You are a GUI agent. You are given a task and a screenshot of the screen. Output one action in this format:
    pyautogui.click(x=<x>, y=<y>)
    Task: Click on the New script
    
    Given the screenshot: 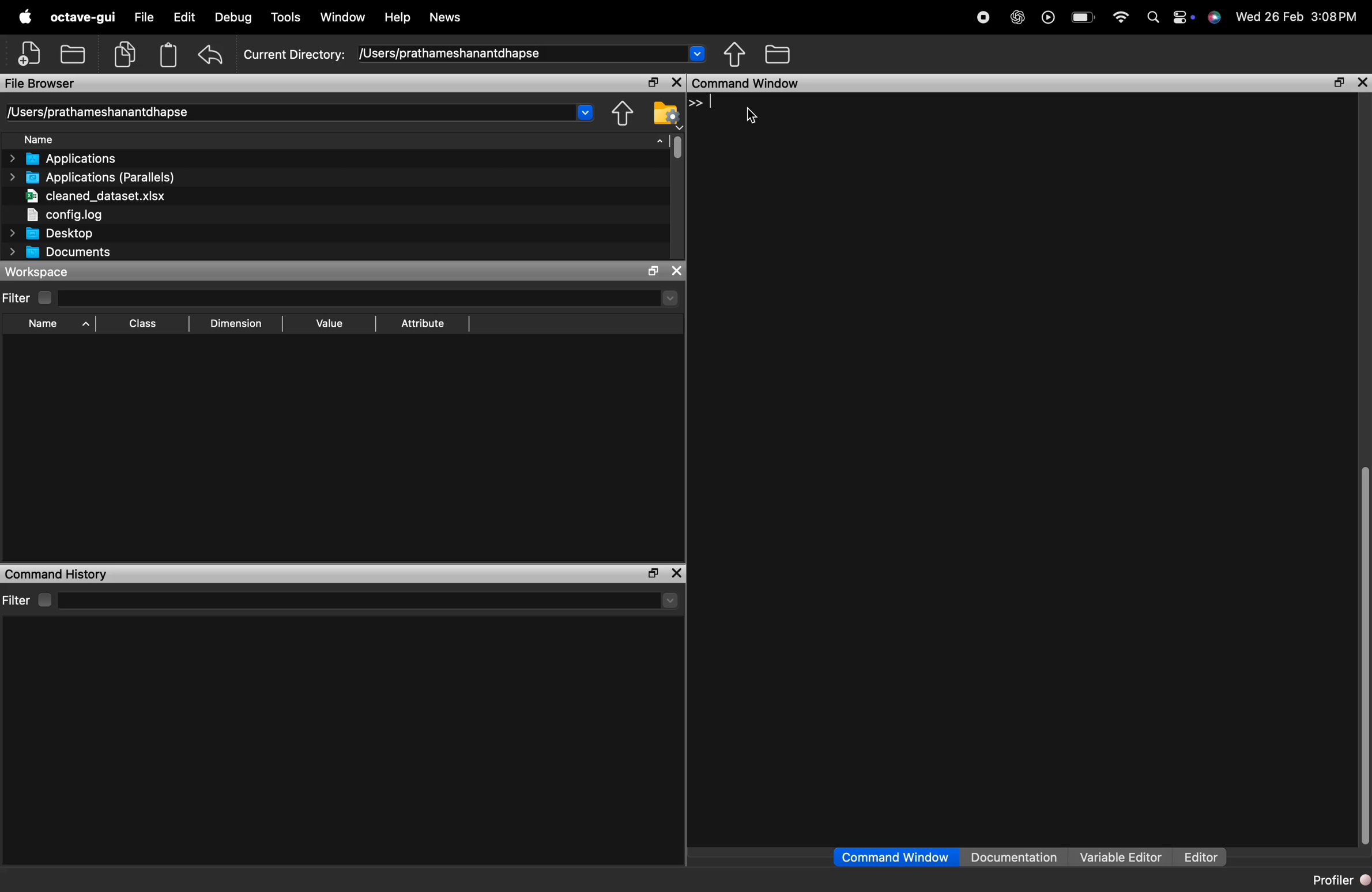 What is the action you would take?
    pyautogui.click(x=27, y=54)
    